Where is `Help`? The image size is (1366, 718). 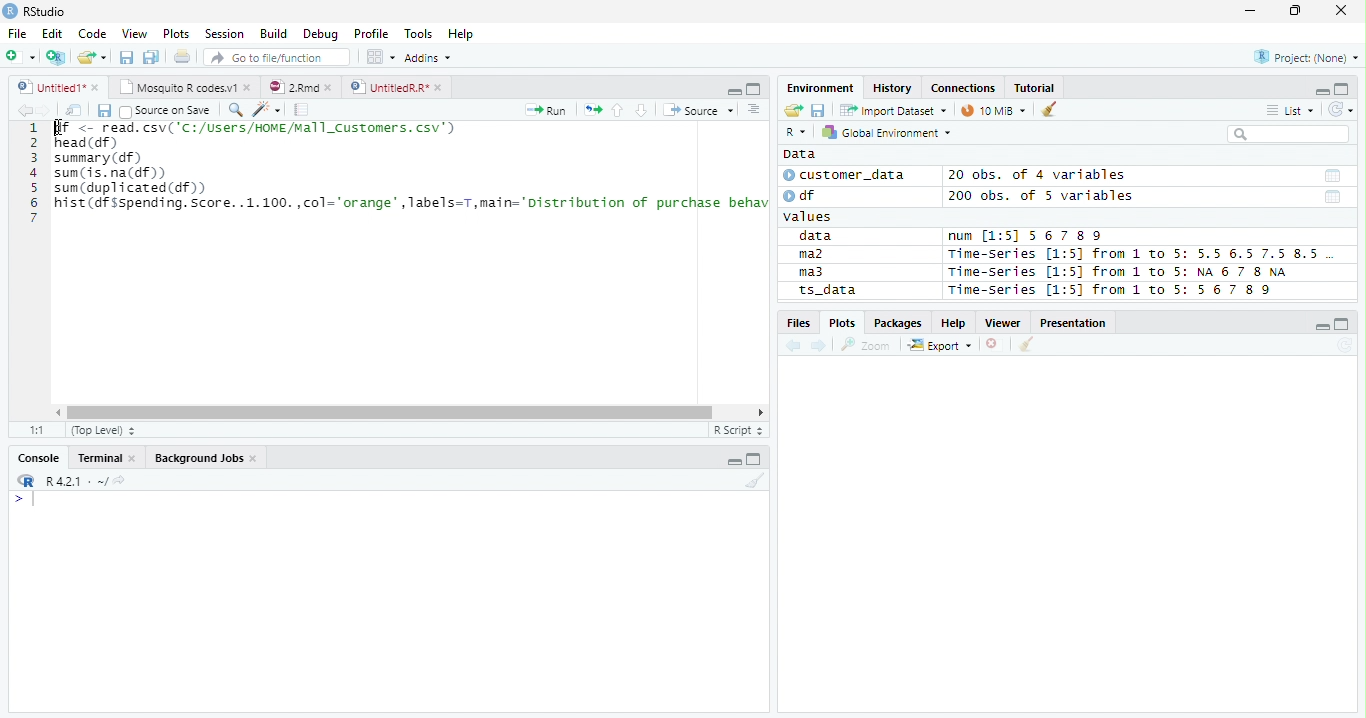 Help is located at coordinates (463, 34).